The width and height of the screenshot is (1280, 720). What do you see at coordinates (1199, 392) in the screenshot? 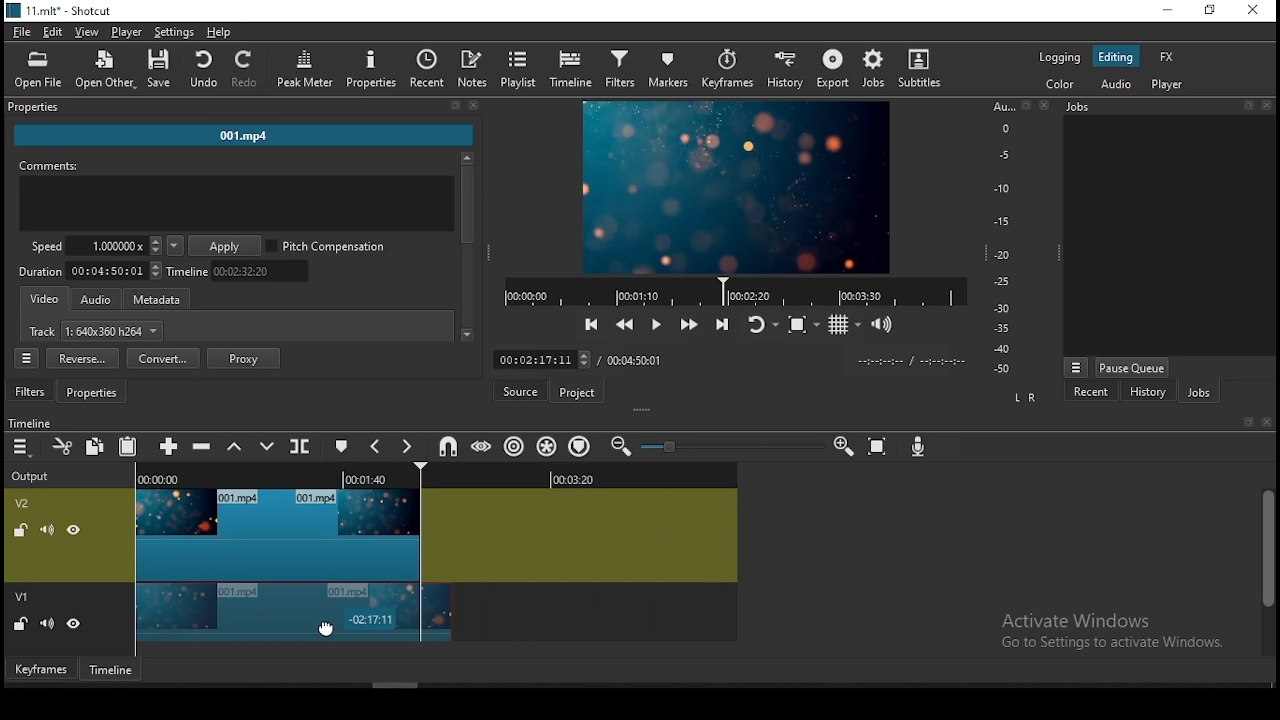
I see `jobs` at bounding box center [1199, 392].